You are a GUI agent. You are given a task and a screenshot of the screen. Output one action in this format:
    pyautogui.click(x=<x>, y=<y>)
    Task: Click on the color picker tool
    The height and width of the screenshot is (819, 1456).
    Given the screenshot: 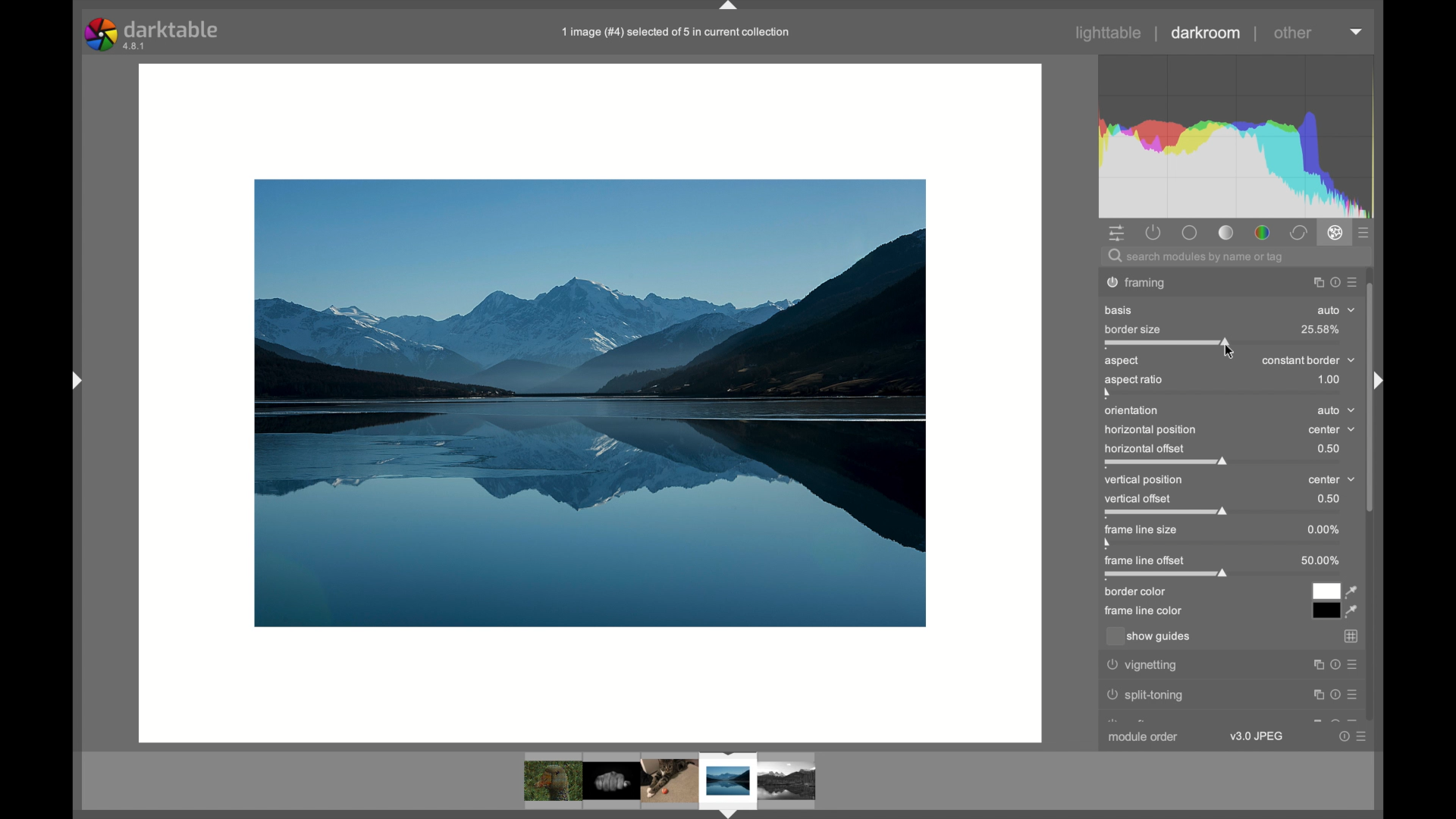 What is the action you would take?
    pyautogui.click(x=1353, y=591)
    